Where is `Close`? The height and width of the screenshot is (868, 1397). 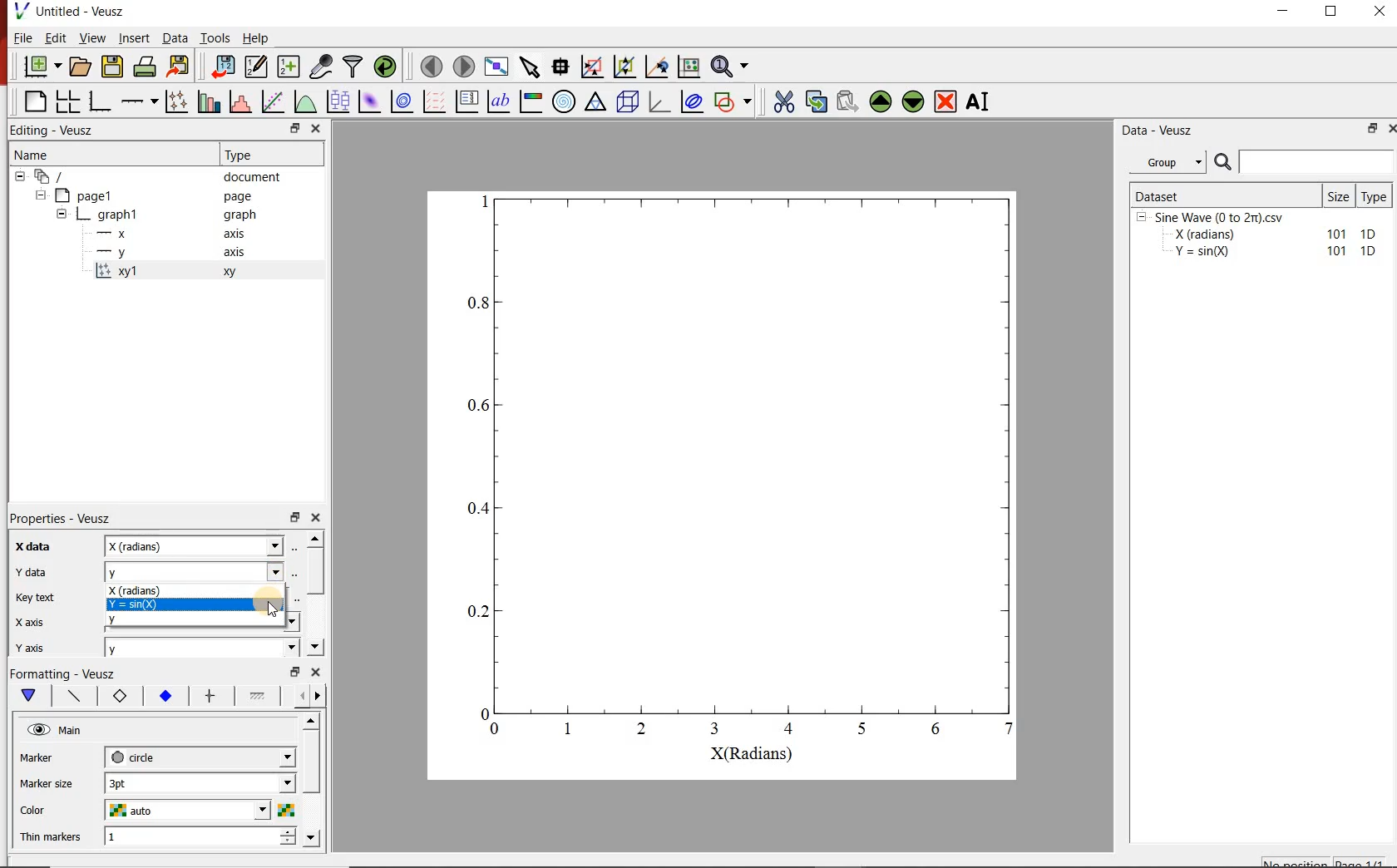
Close is located at coordinates (1389, 131).